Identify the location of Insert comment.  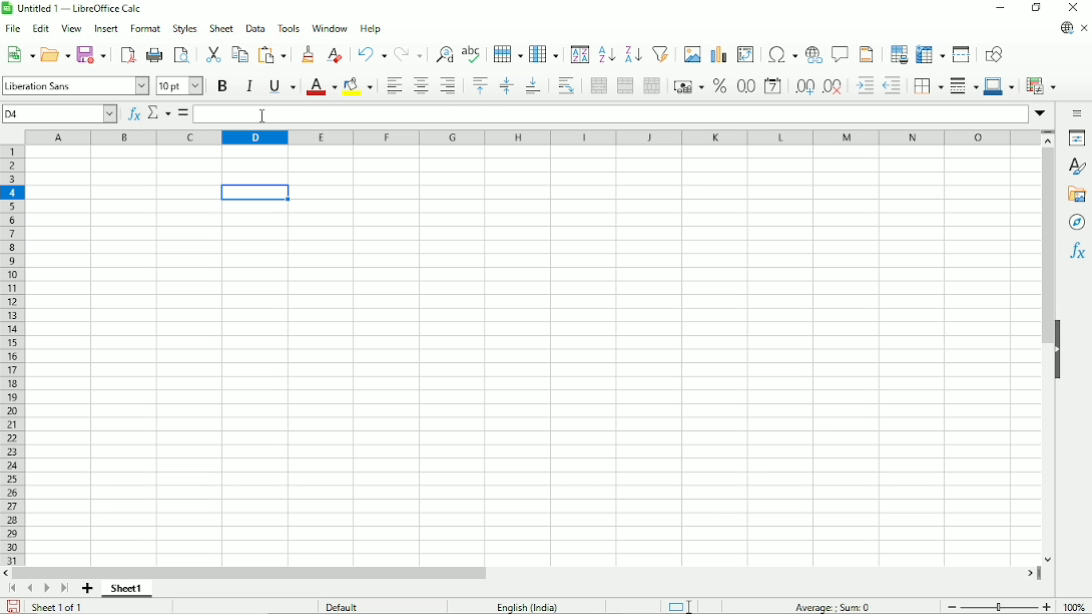
(841, 53).